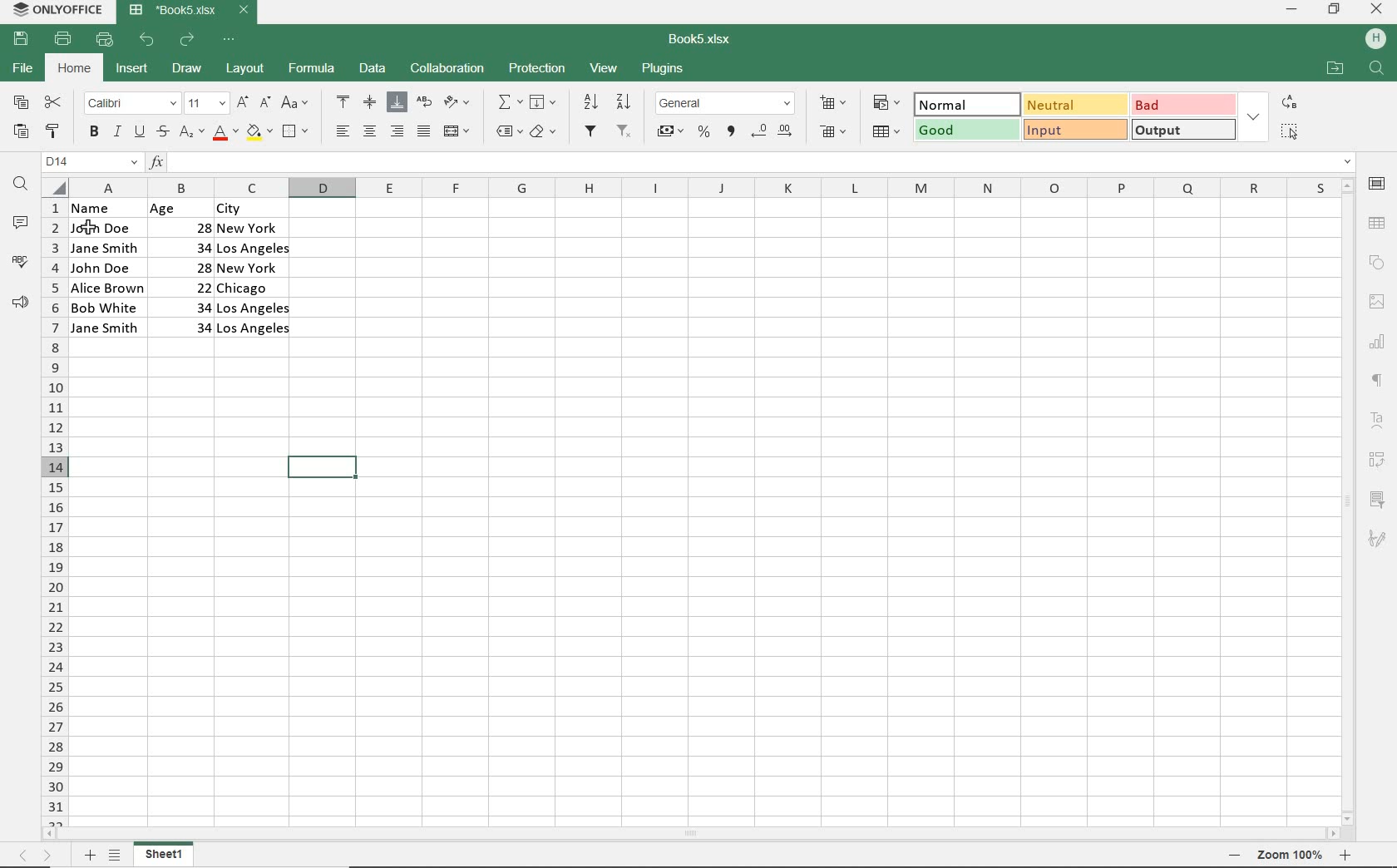 The image size is (1397, 868). Describe the element at coordinates (542, 134) in the screenshot. I see `CLEAR` at that location.